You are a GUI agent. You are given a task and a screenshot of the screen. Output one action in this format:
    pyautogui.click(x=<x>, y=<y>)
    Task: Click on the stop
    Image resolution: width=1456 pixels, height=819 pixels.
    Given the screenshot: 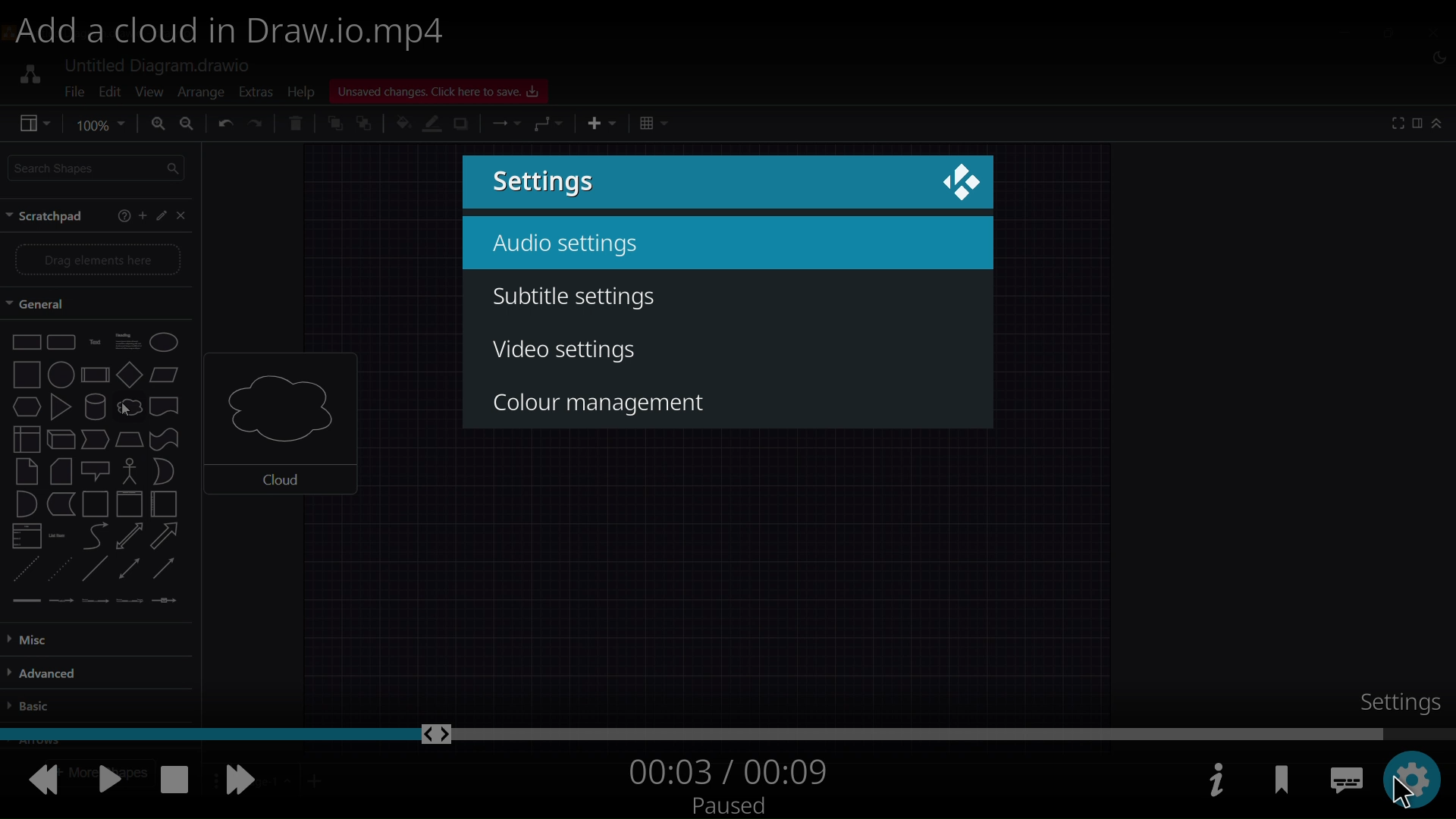 What is the action you would take?
    pyautogui.click(x=170, y=779)
    